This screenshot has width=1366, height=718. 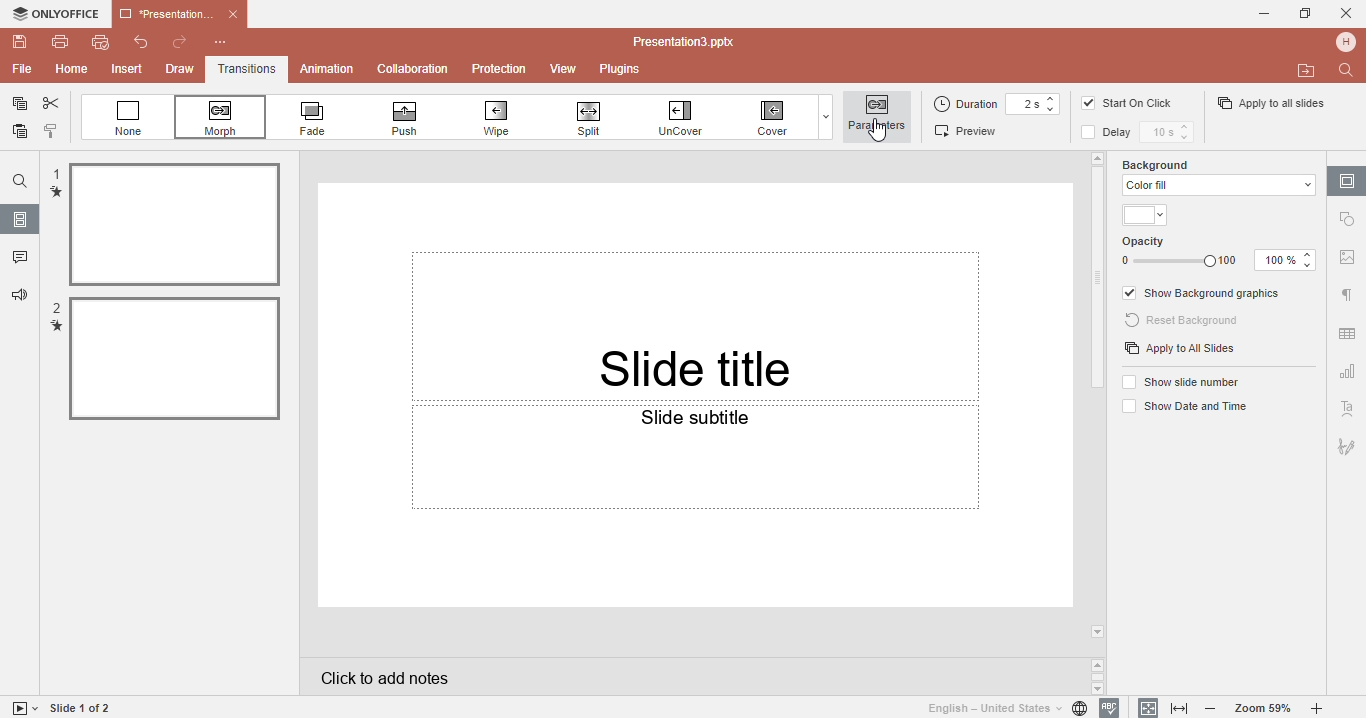 I want to click on Preview, so click(x=971, y=131).